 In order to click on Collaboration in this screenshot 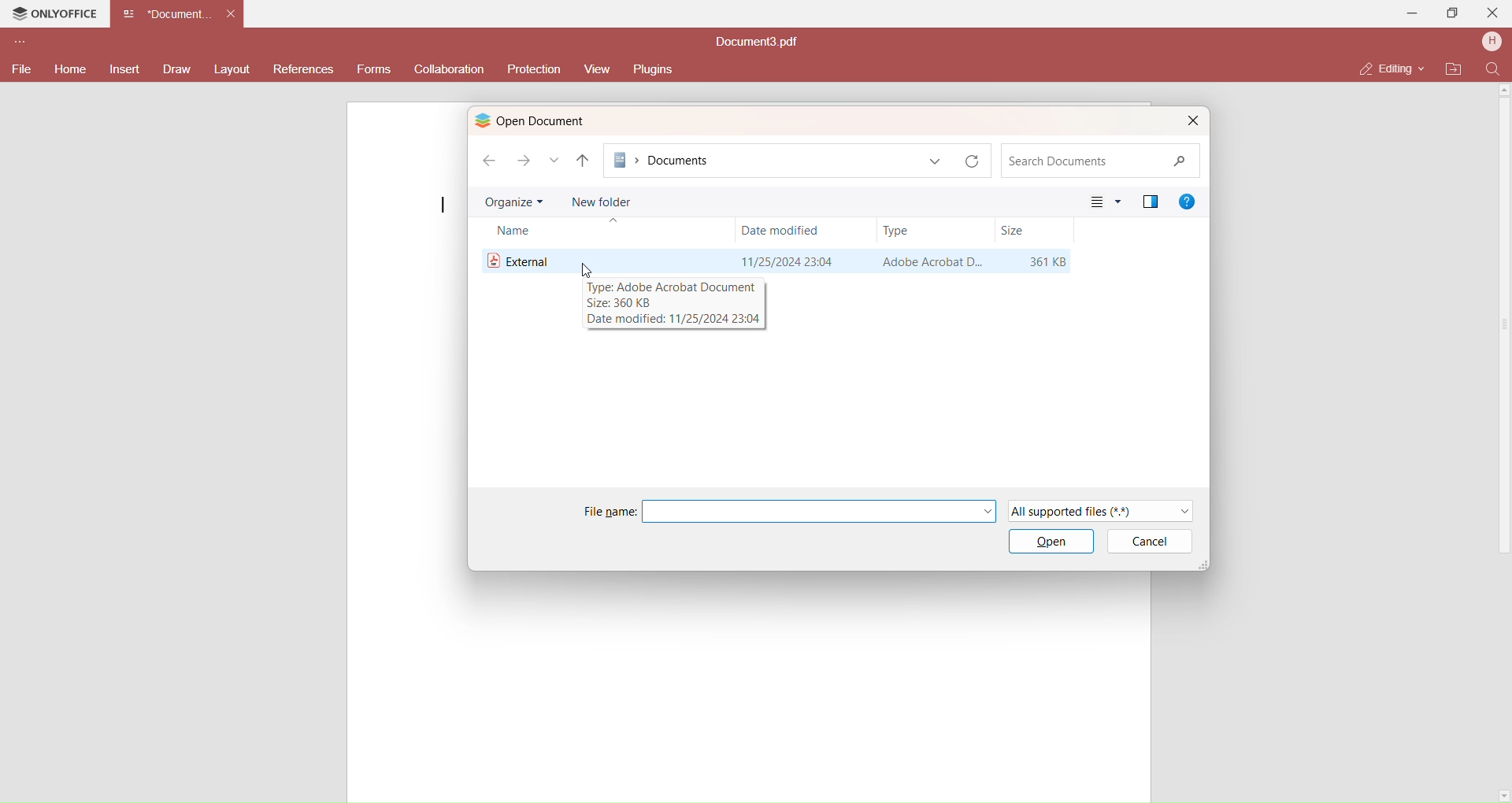, I will do `click(451, 69)`.